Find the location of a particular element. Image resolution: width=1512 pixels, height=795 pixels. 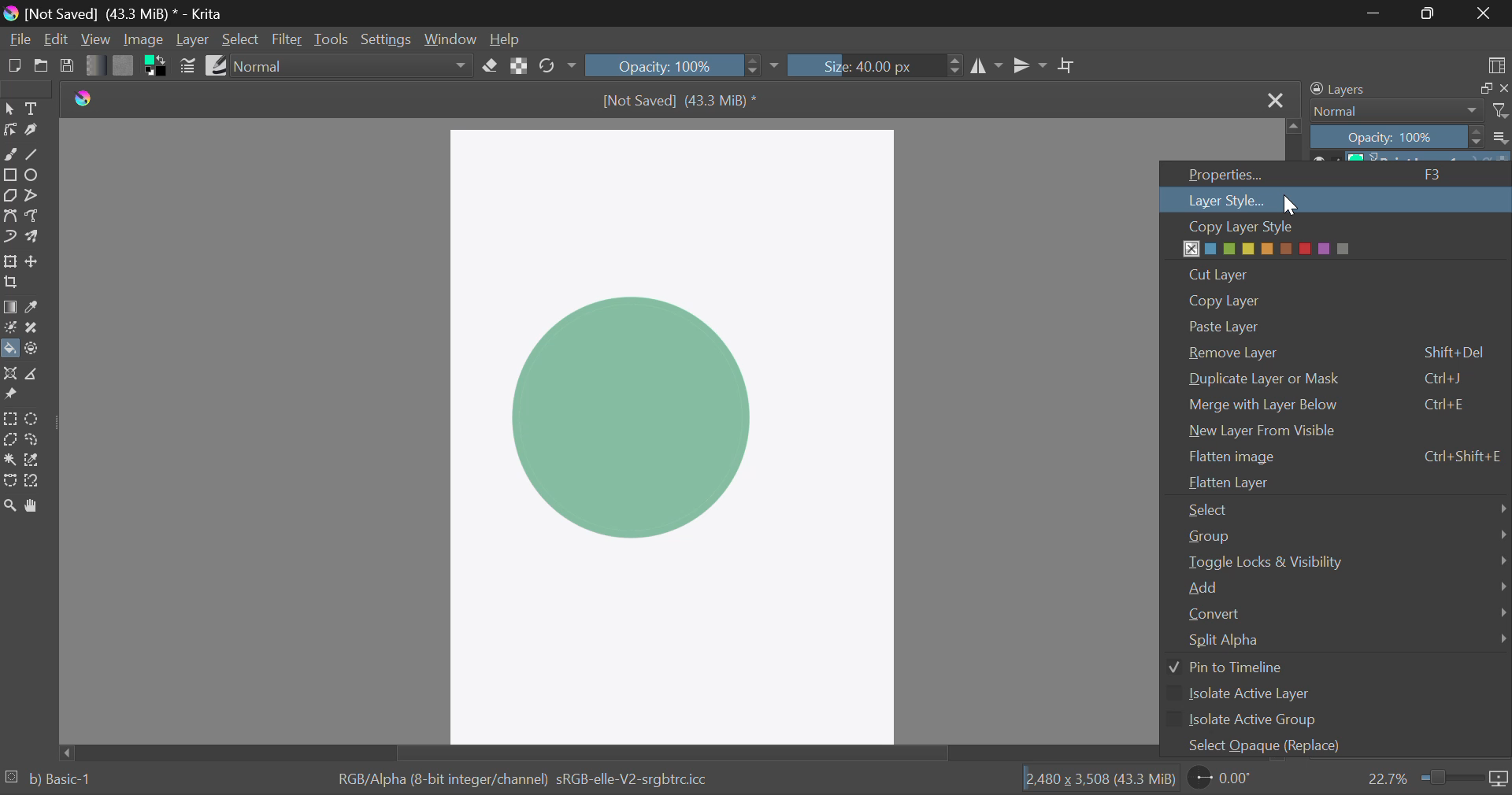

Bezier Curve is located at coordinates (10, 215).